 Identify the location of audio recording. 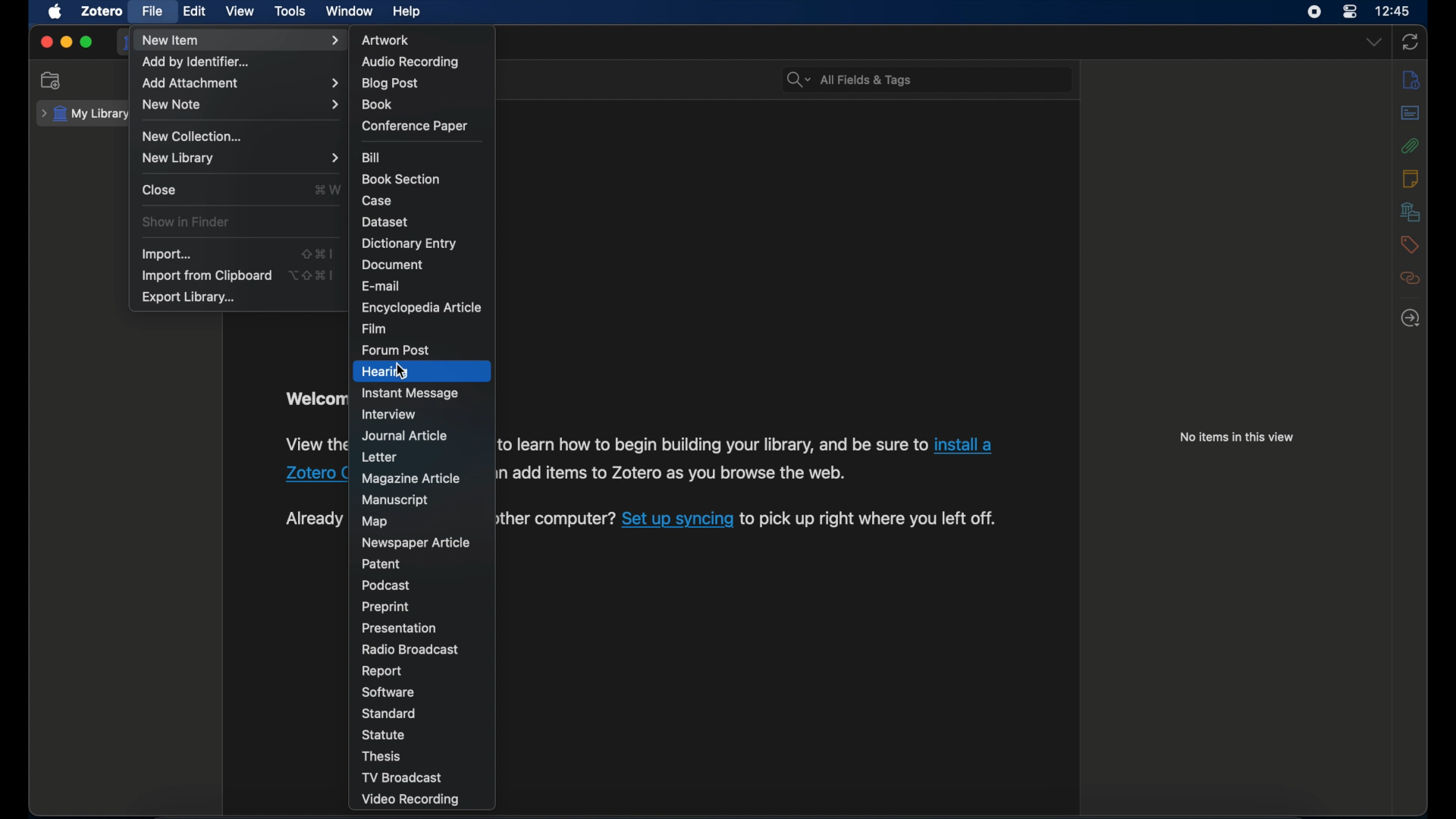
(413, 62).